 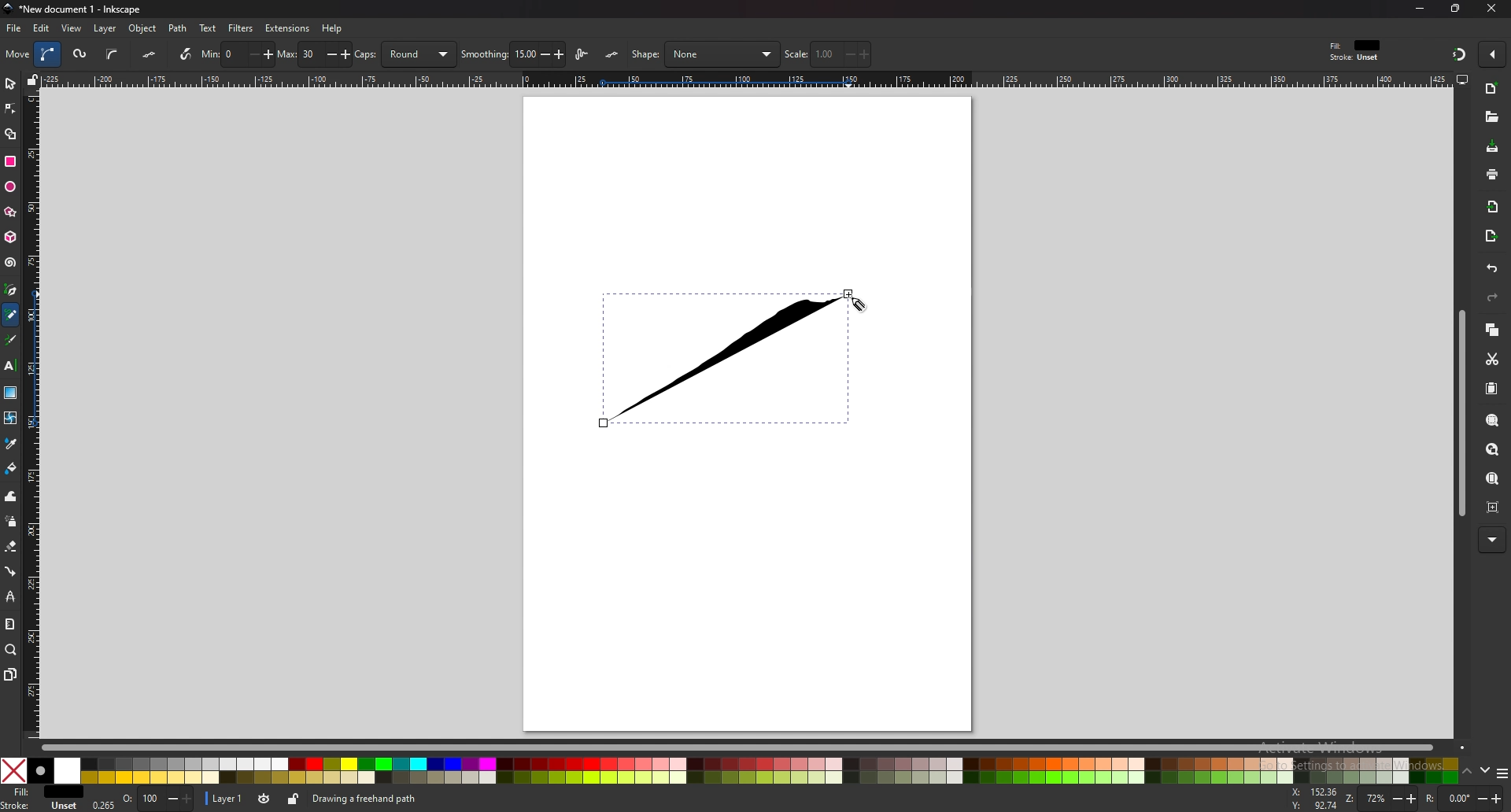 What do you see at coordinates (314, 53) in the screenshot?
I see `max` at bounding box center [314, 53].